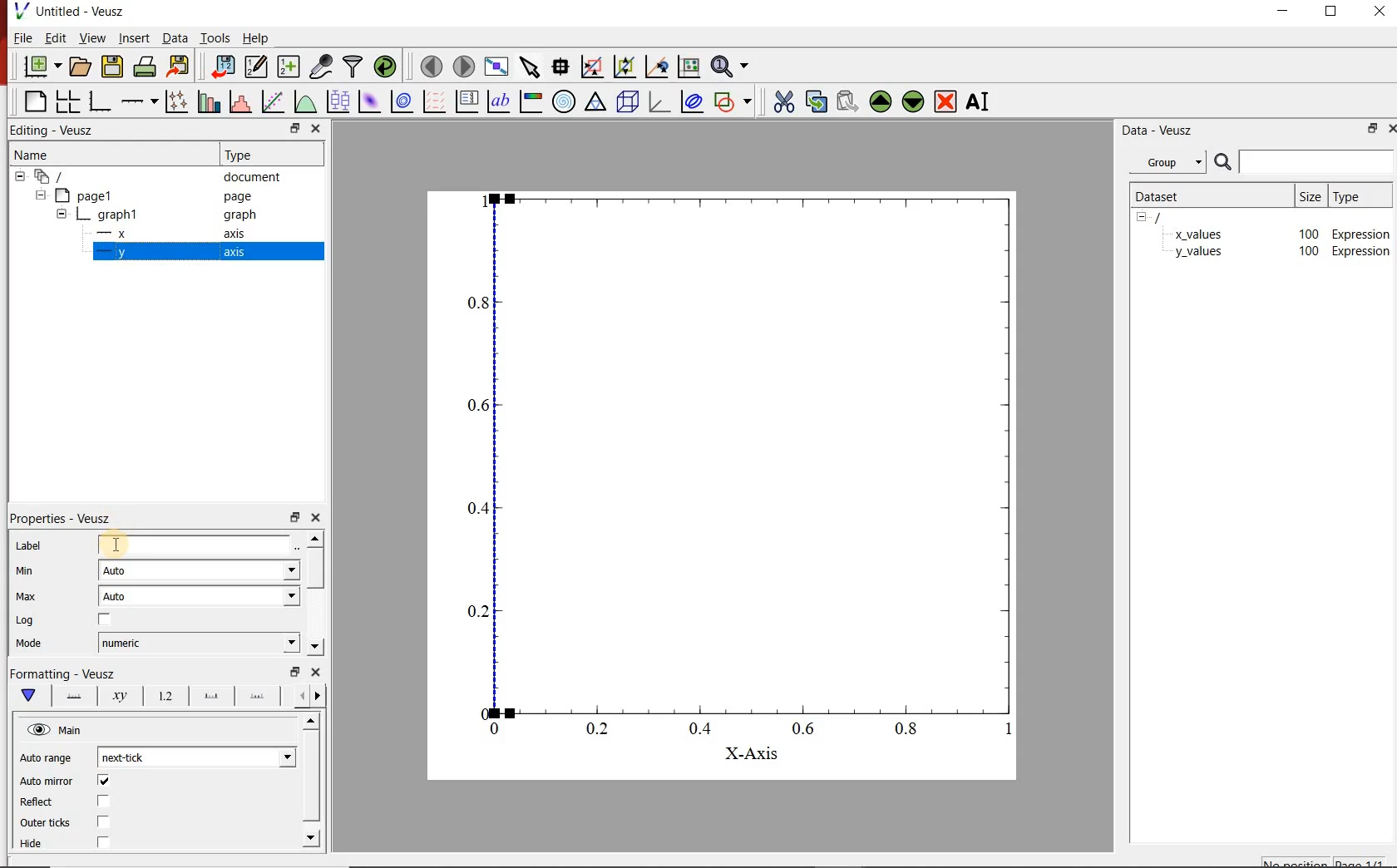 This screenshot has width=1397, height=868. What do you see at coordinates (198, 642) in the screenshot?
I see `numeric` at bounding box center [198, 642].